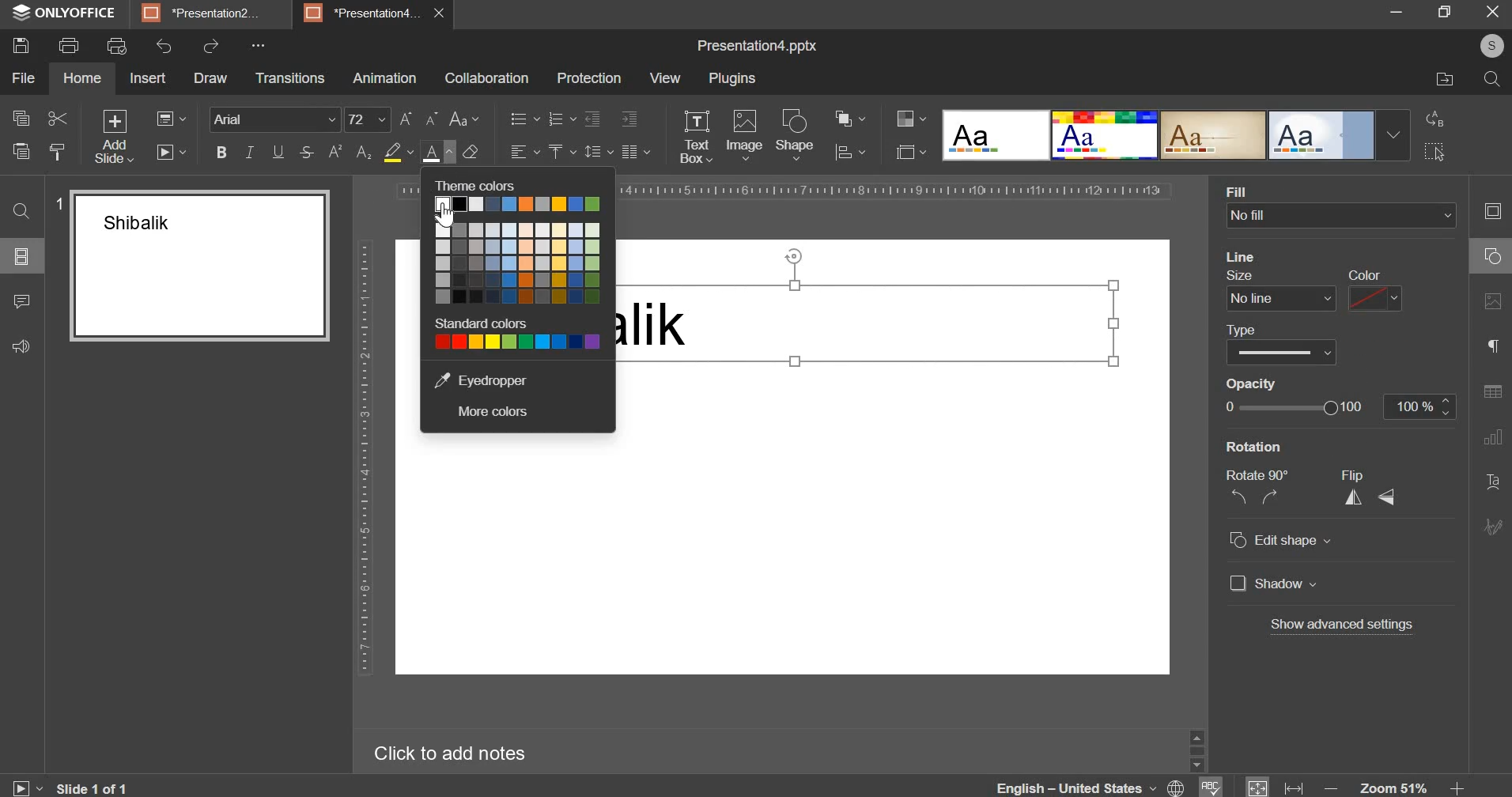 The image size is (1512, 797). Describe the element at coordinates (1397, 12) in the screenshot. I see `Restore down` at that location.